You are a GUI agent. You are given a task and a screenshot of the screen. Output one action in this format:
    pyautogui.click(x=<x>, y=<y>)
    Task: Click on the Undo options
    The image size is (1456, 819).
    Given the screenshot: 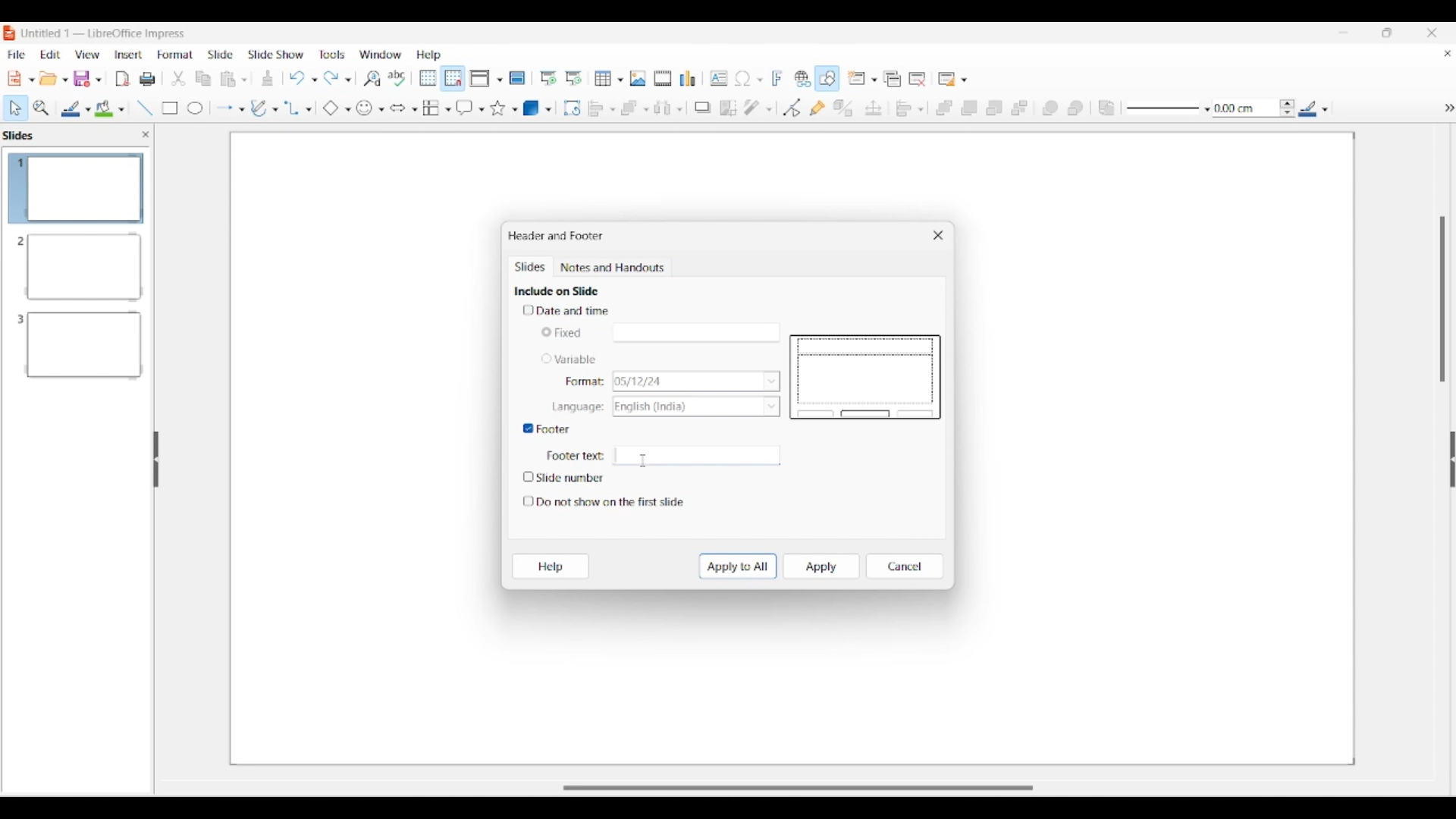 What is the action you would take?
    pyautogui.click(x=303, y=78)
    